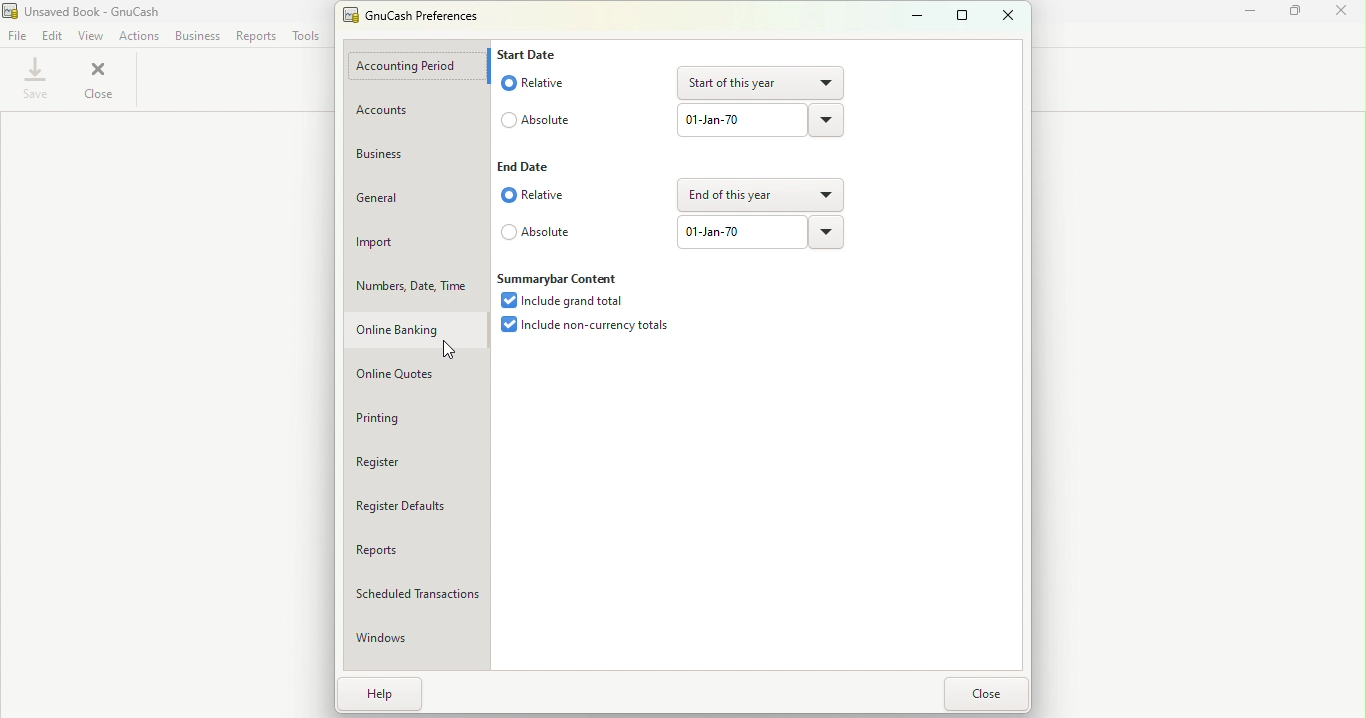 The width and height of the screenshot is (1366, 718). I want to click on Register, so click(403, 463).